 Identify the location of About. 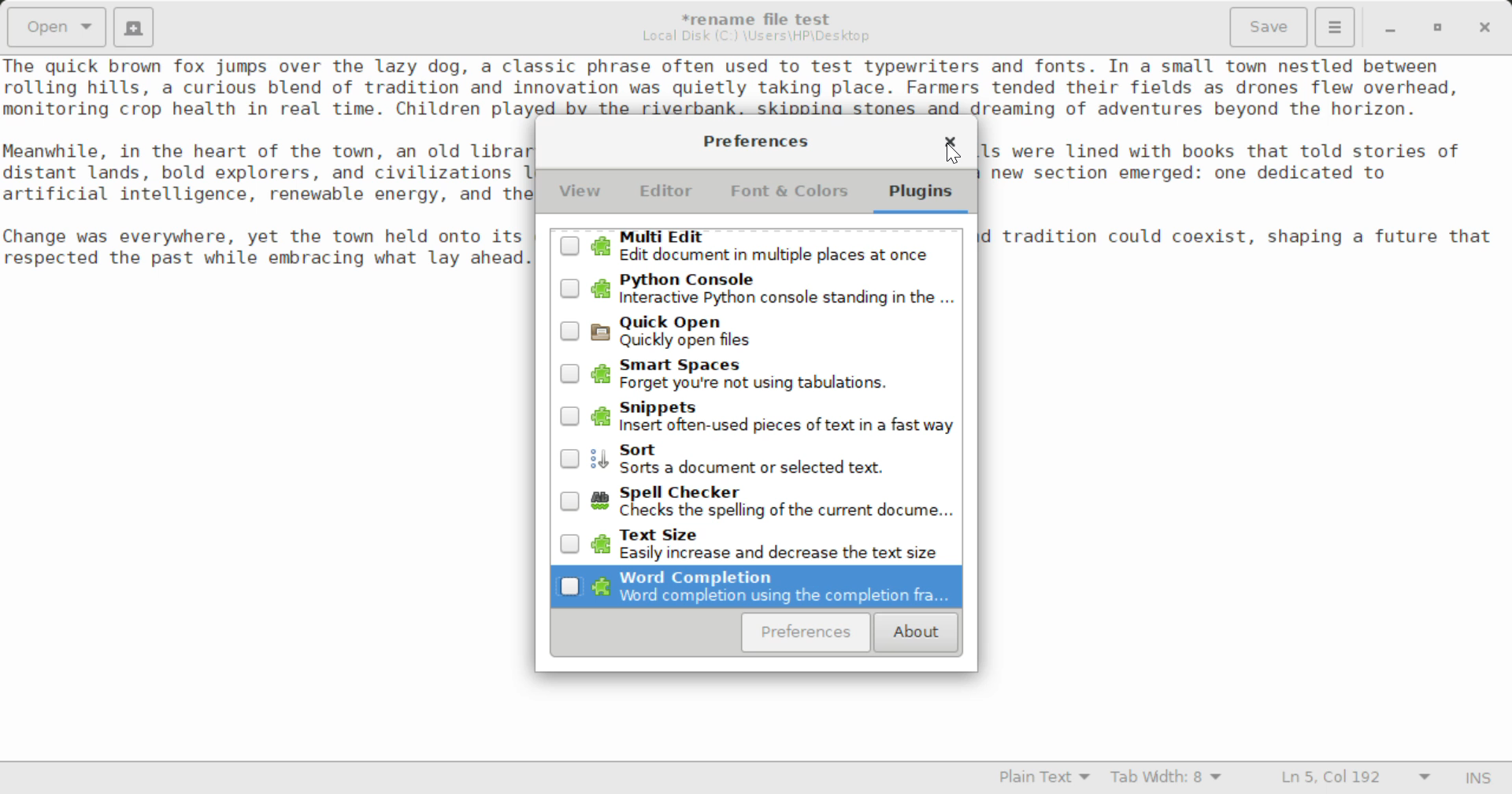
(913, 633).